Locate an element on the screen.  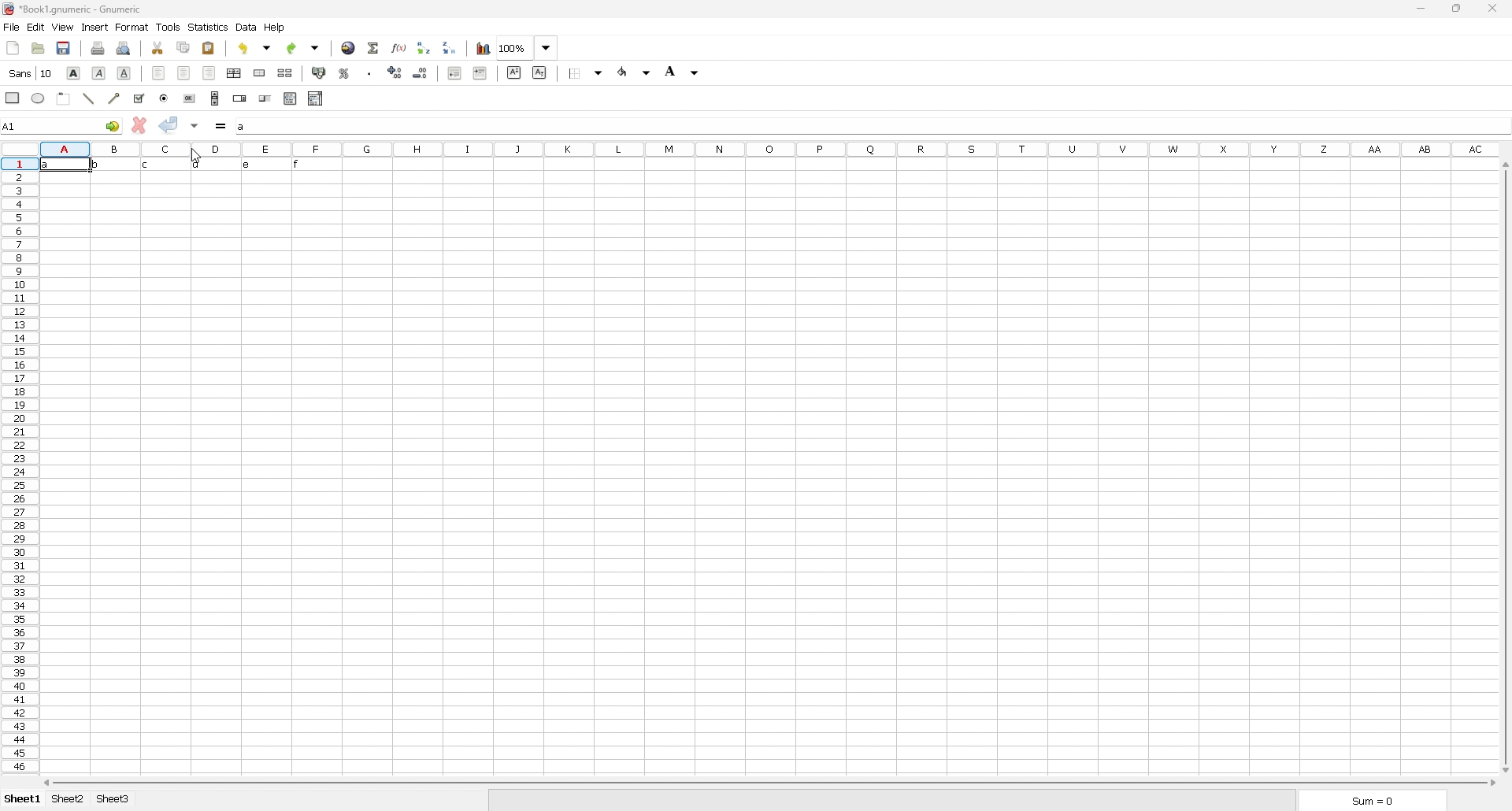
combo box is located at coordinates (316, 98).